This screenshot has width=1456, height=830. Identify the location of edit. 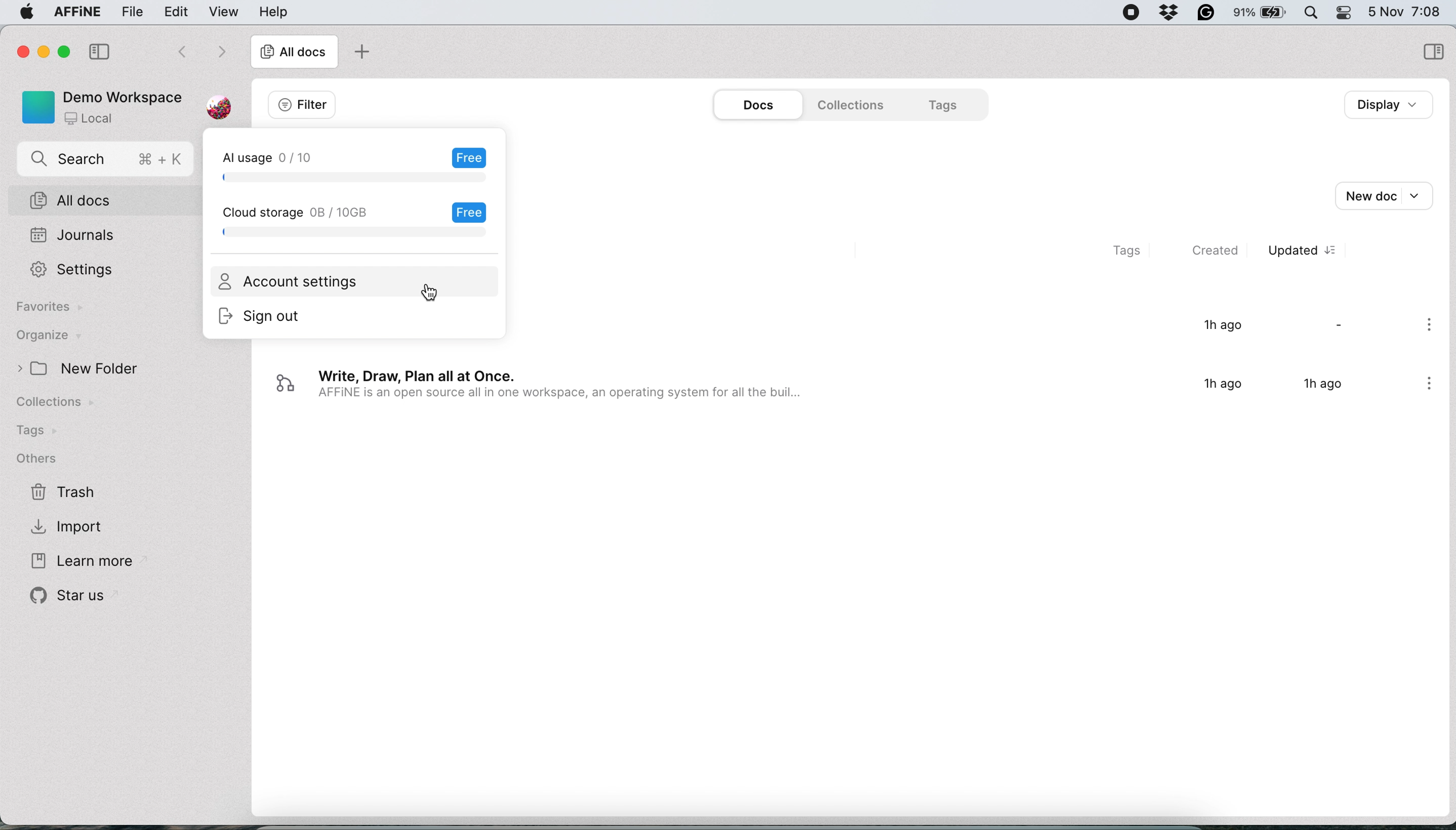
(180, 11).